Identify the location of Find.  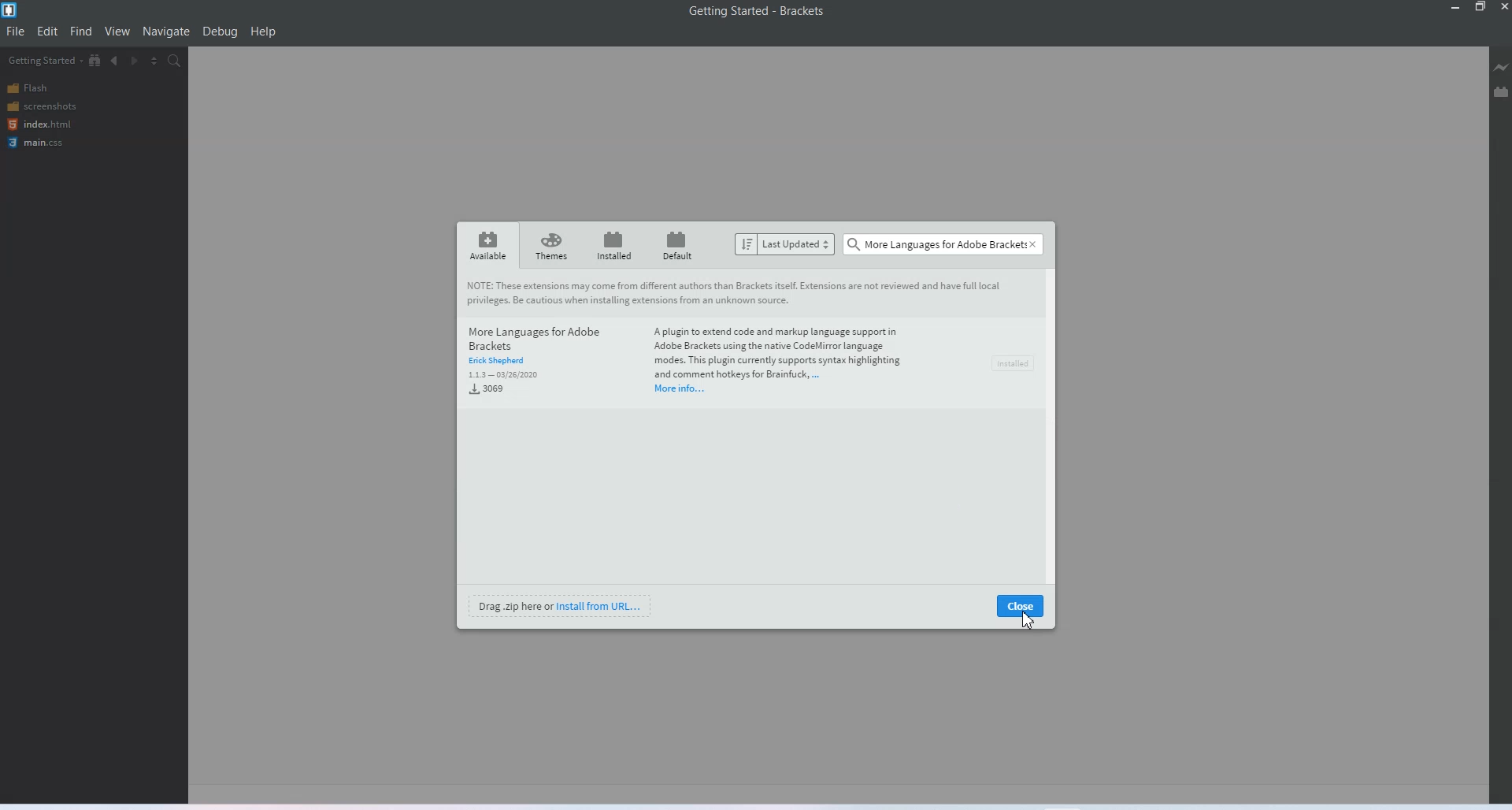
(81, 32).